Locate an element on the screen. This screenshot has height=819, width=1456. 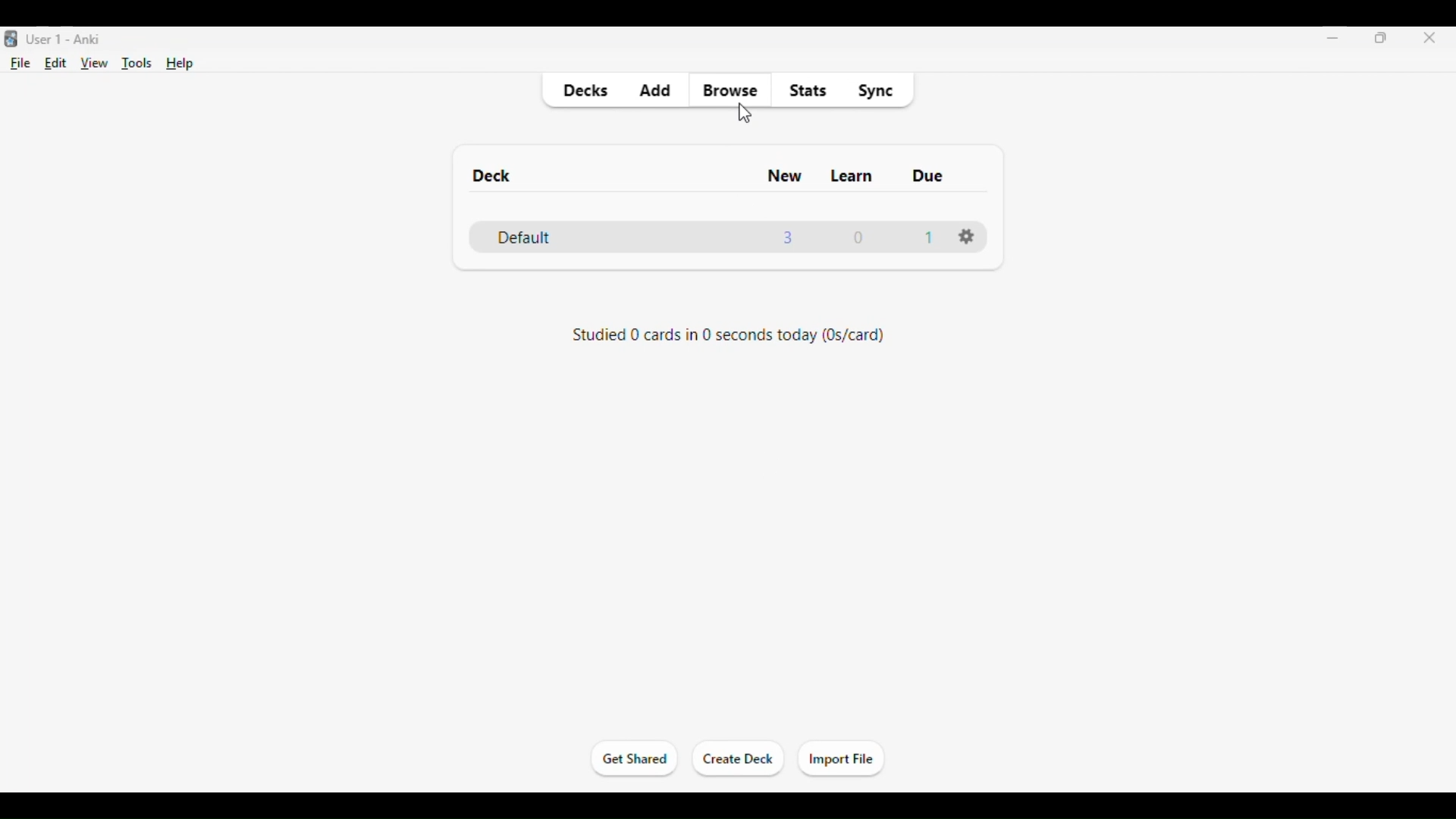
minimize is located at coordinates (1333, 37).